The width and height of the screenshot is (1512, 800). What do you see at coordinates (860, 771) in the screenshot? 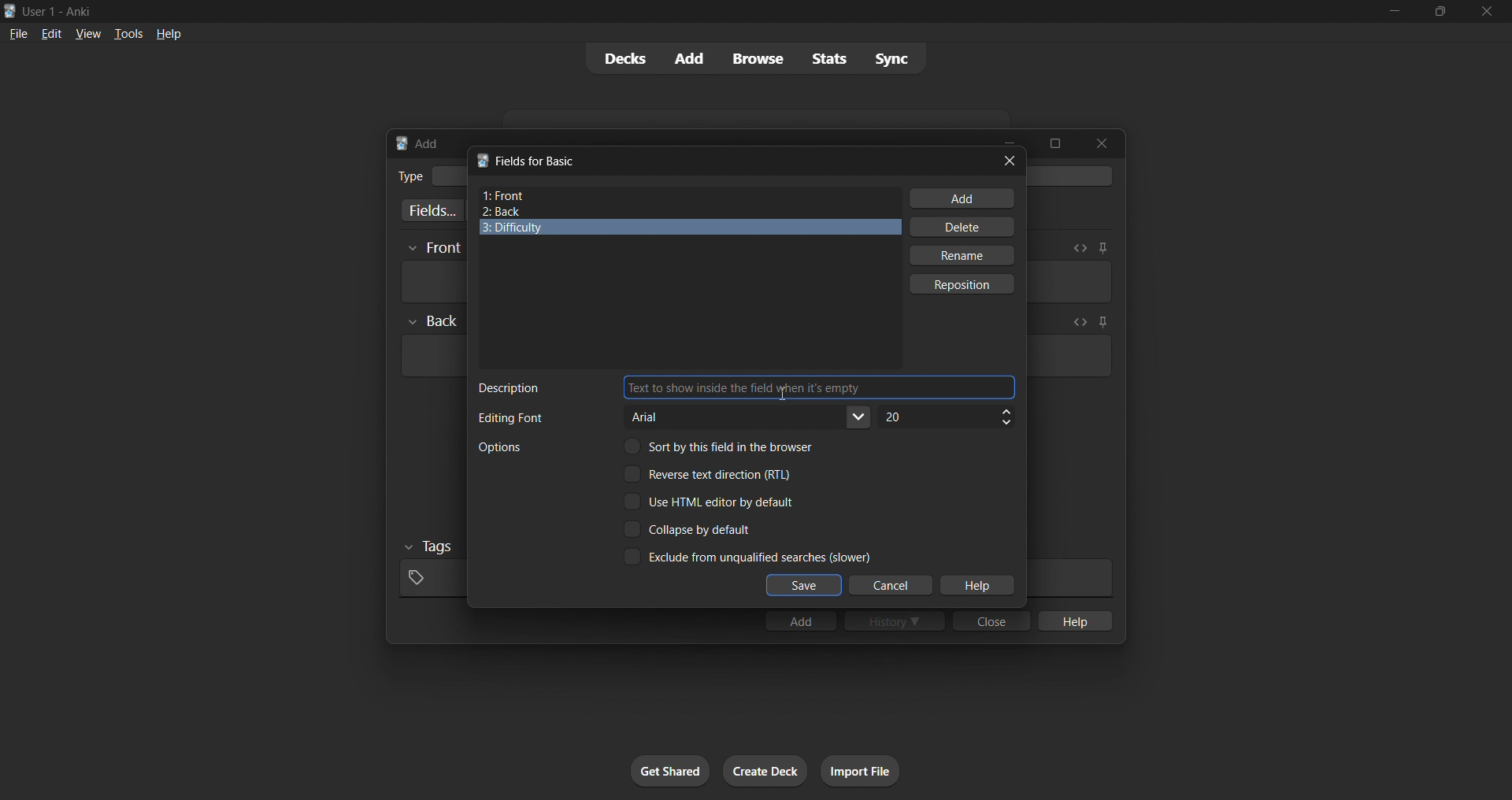
I see `import file` at bounding box center [860, 771].